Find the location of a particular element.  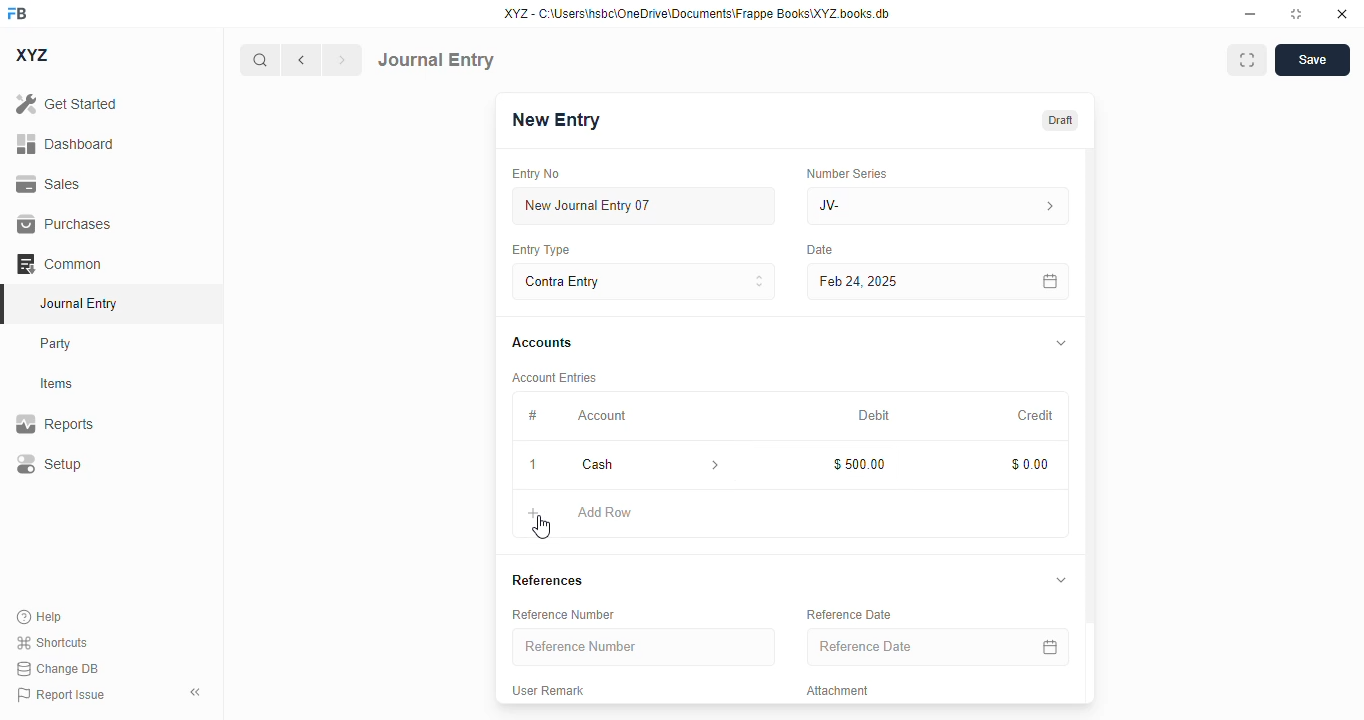

close is located at coordinates (1342, 14).